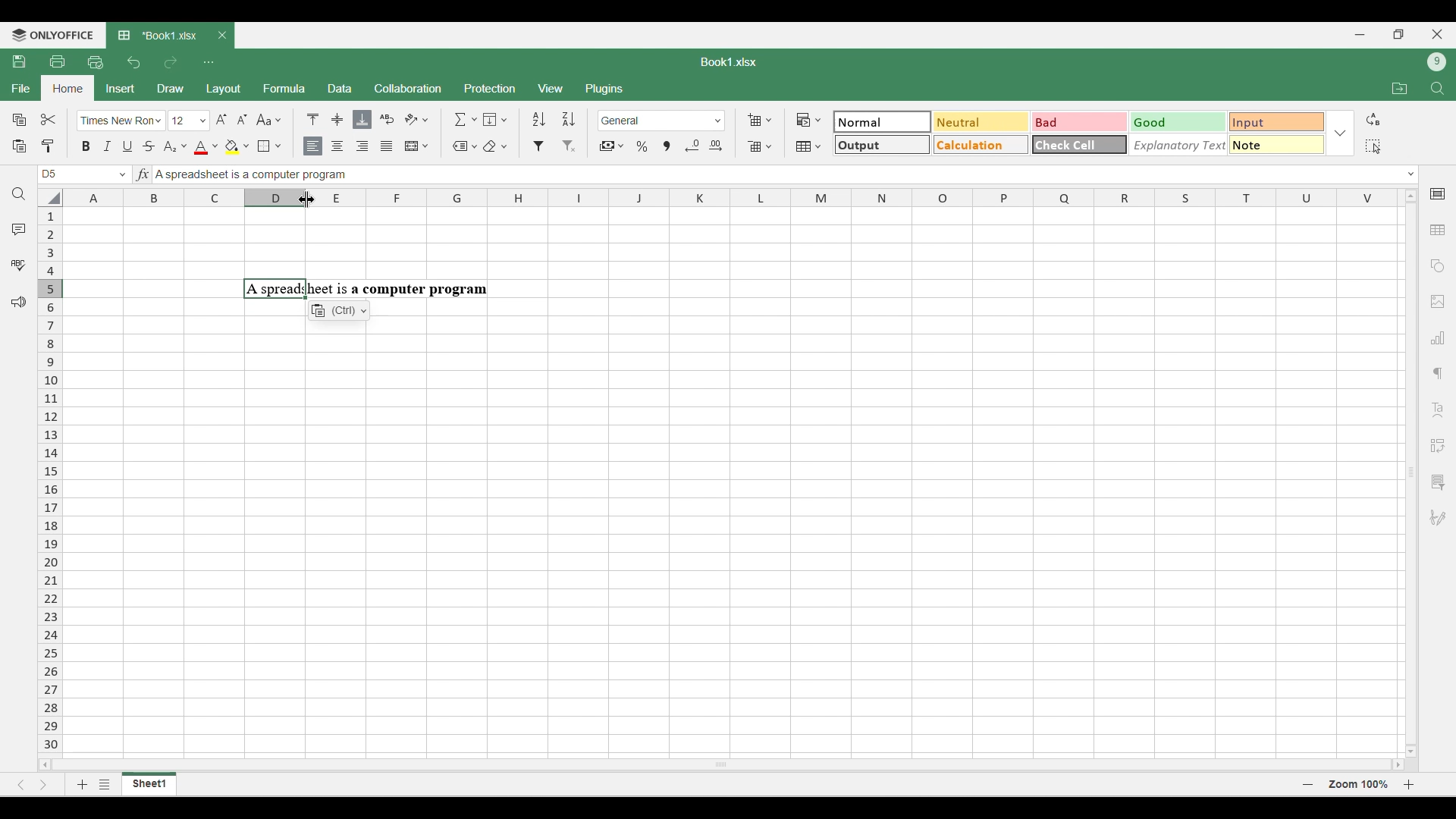  I want to click on Cell type options, so click(1080, 133).